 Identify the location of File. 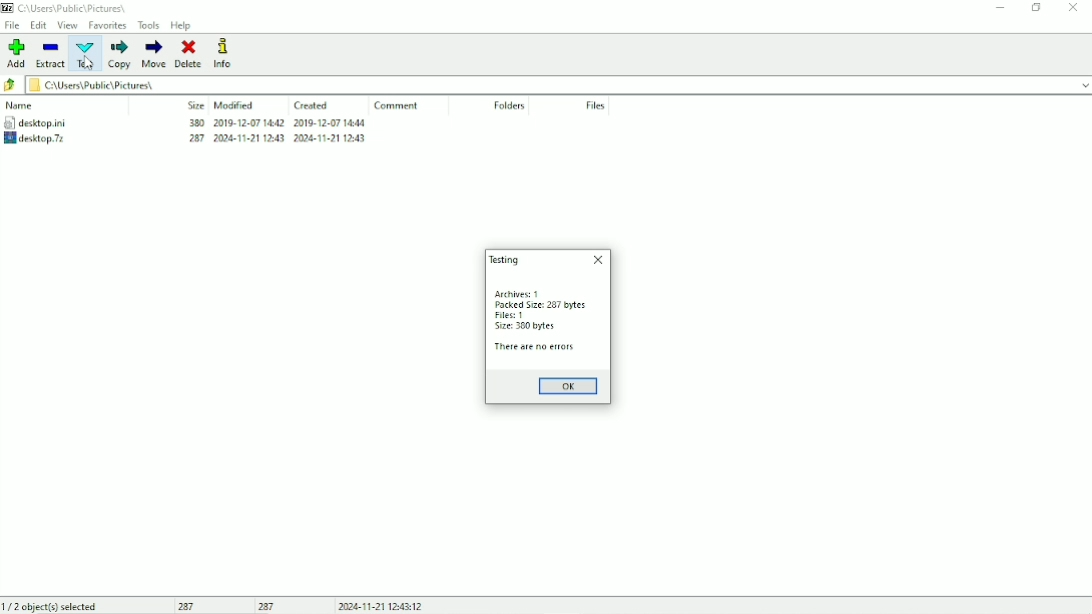
(12, 25).